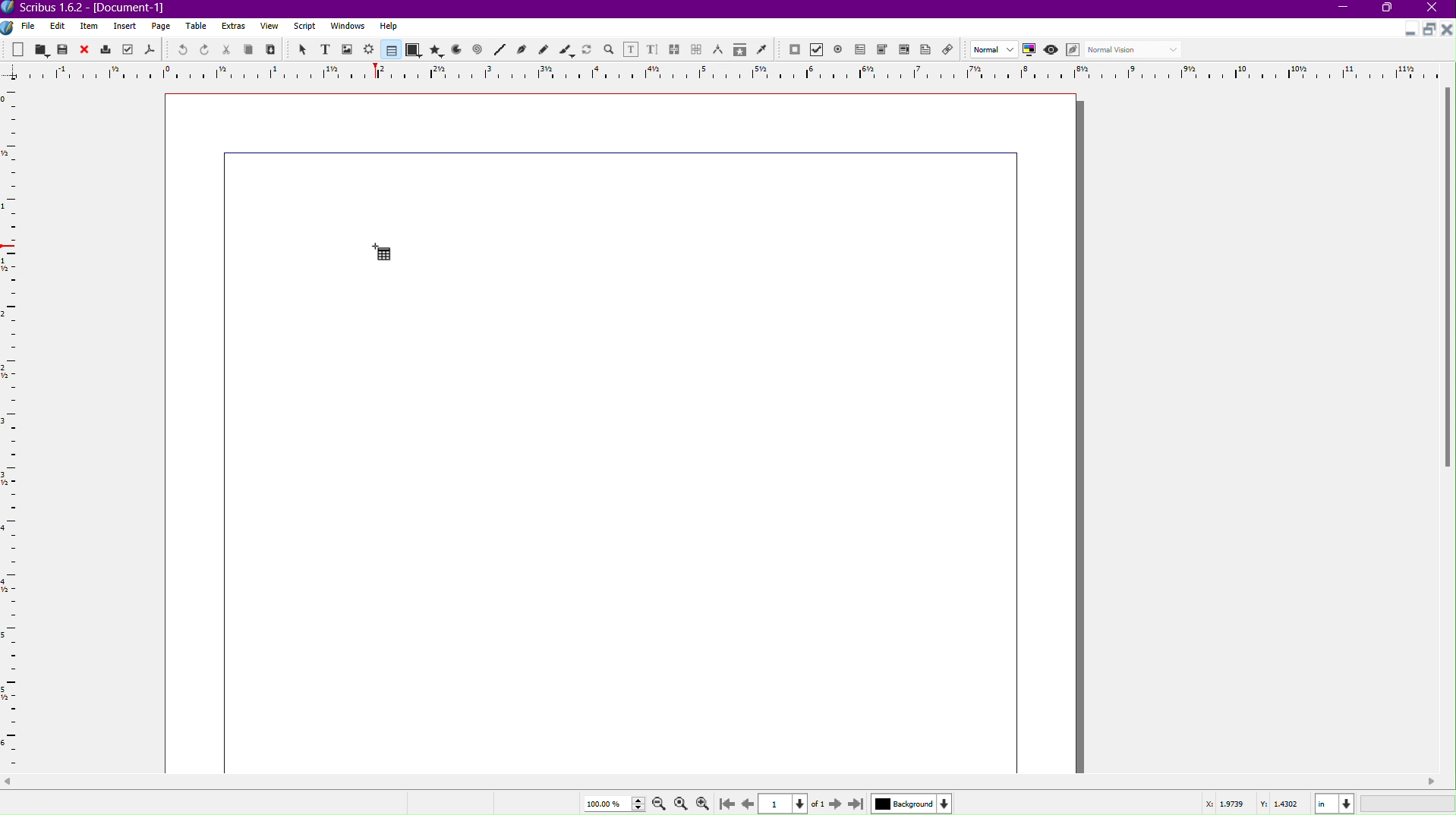 The height and width of the screenshot is (815, 1456). Describe the element at coordinates (720, 49) in the screenshot. I see `Measurements` at that location.